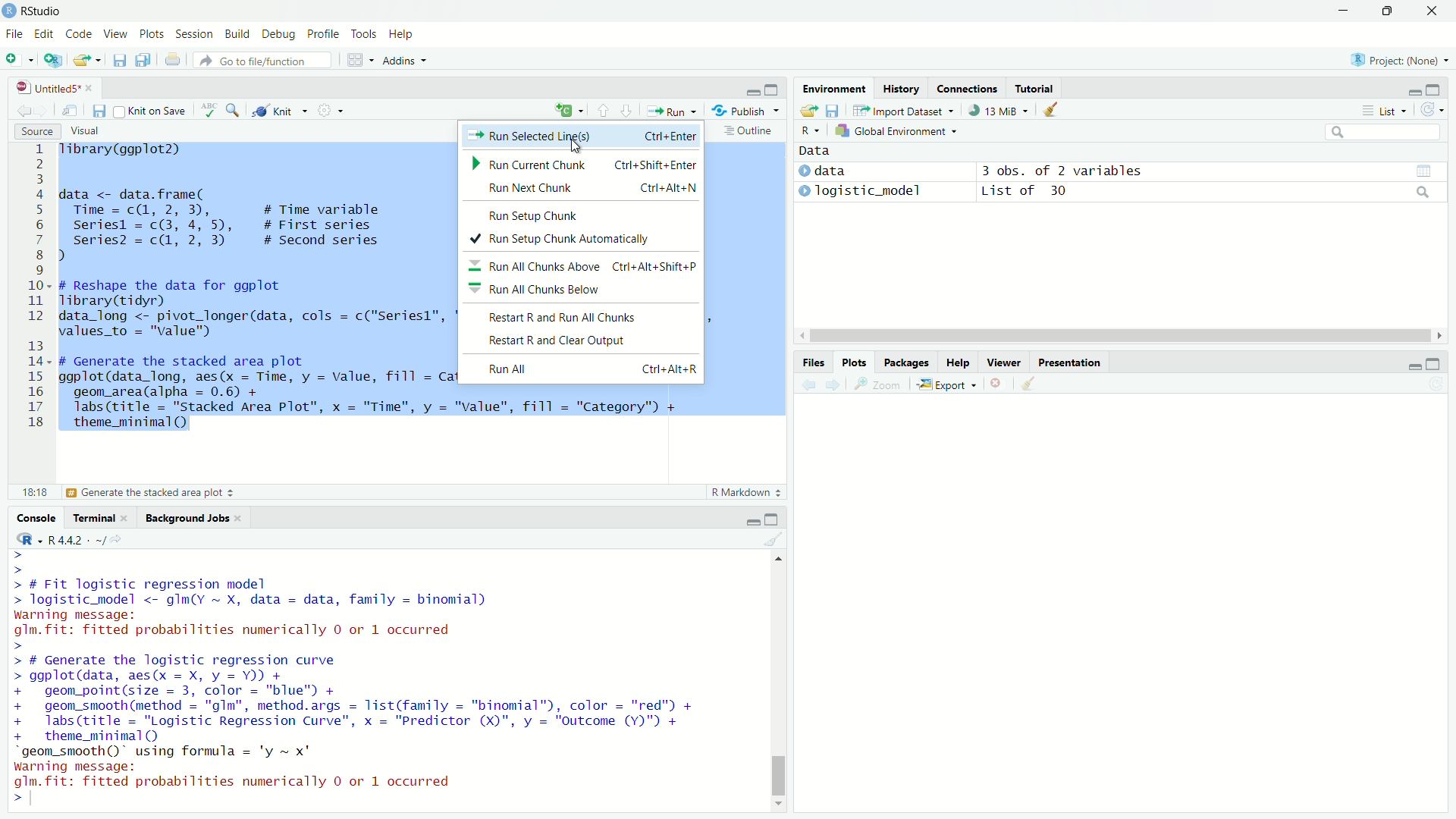 This screenshot has width=1456, height=819. I want to click on Environment, so click(833, 88).